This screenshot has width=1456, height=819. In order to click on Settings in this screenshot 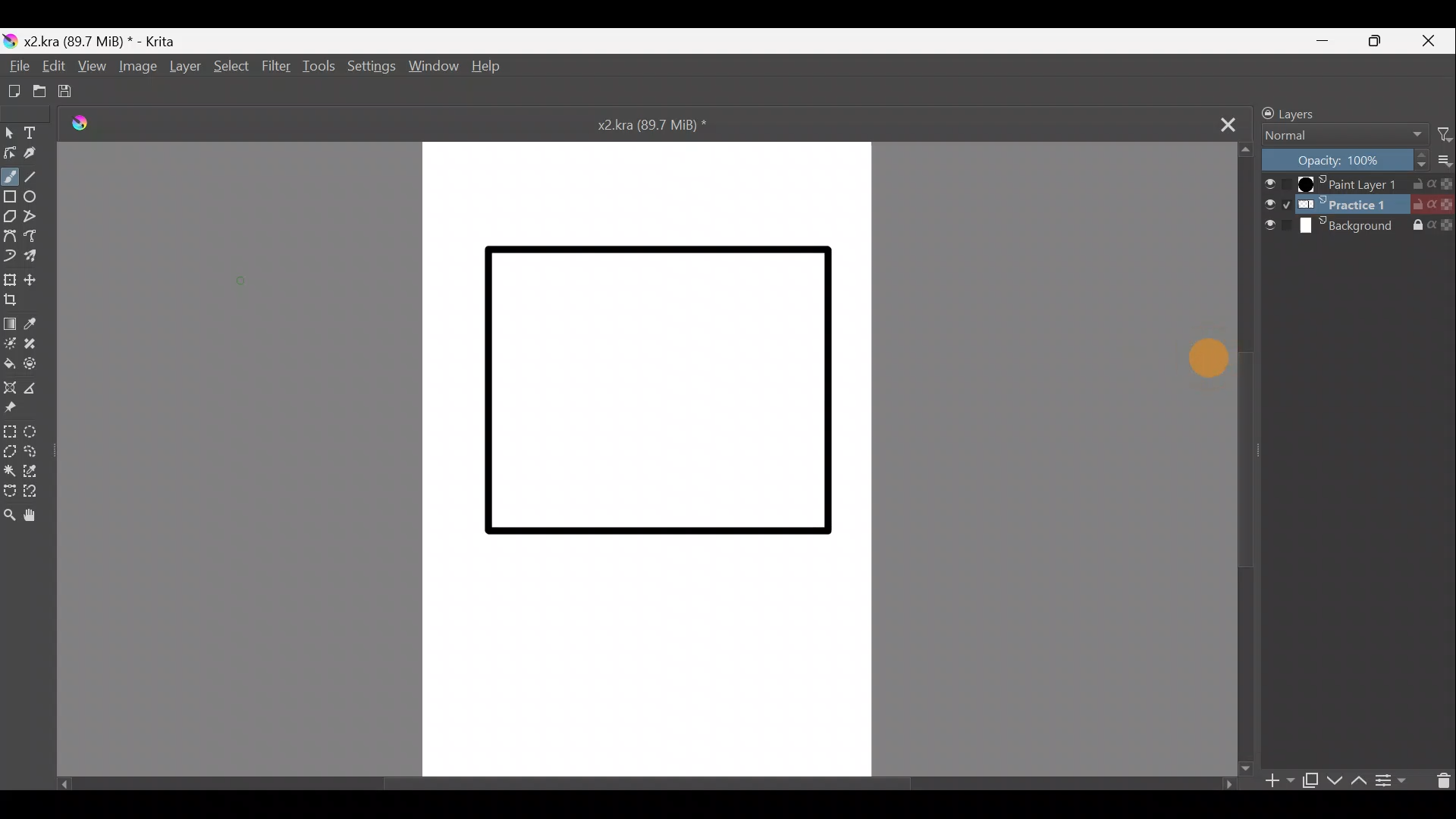, I will do `click(369, 69)`.